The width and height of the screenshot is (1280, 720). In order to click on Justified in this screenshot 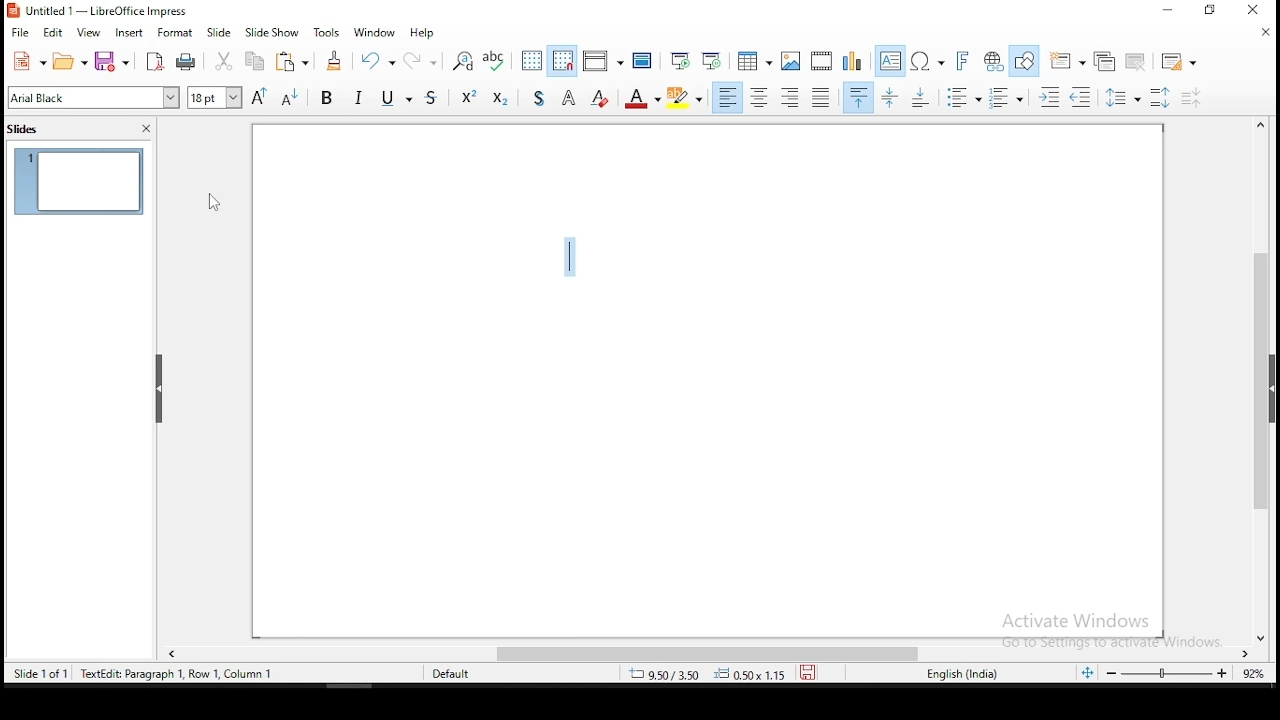, I will do `click(822, 96)`.